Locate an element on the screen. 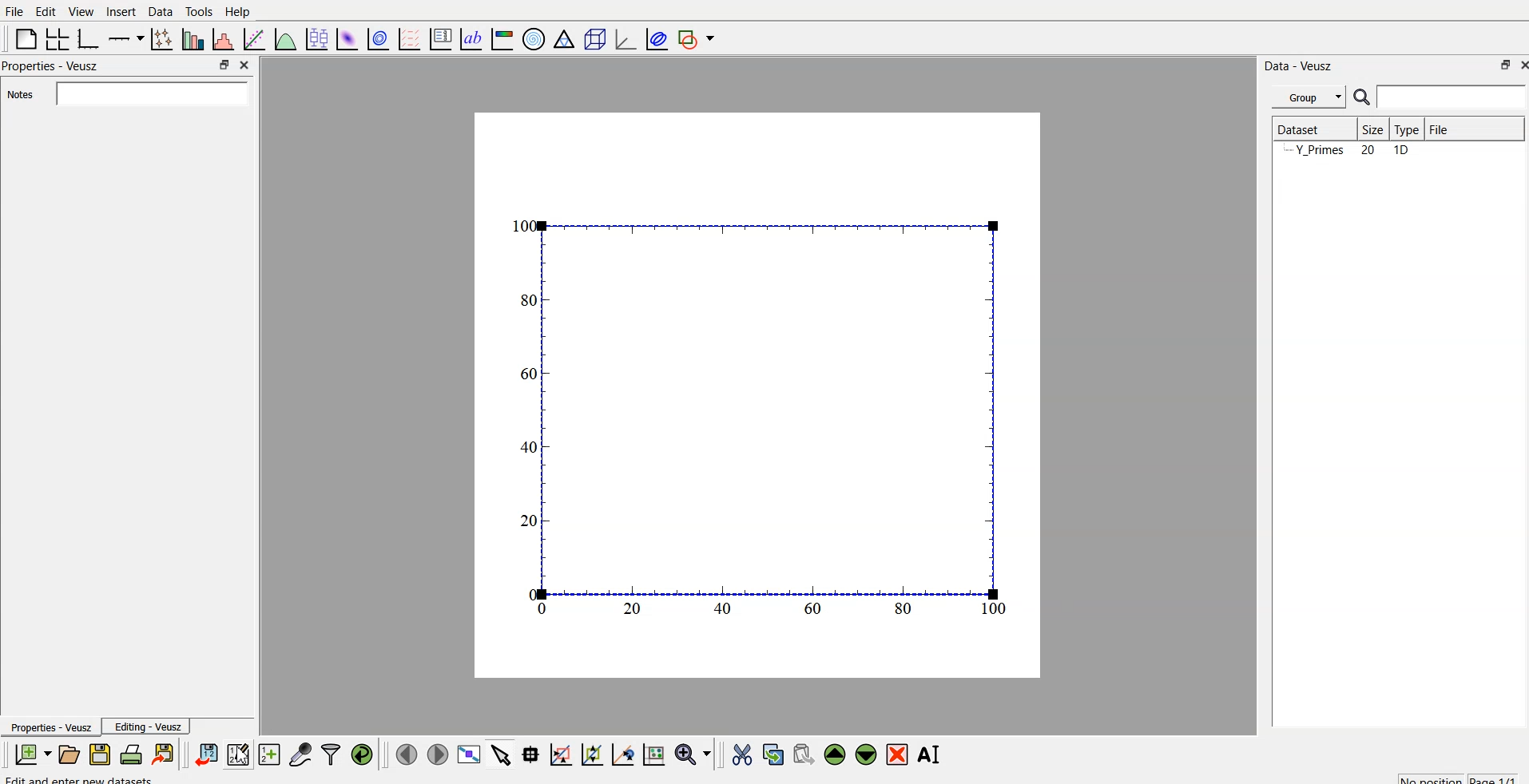  | Dataset is located at coordinates (1298, 128).